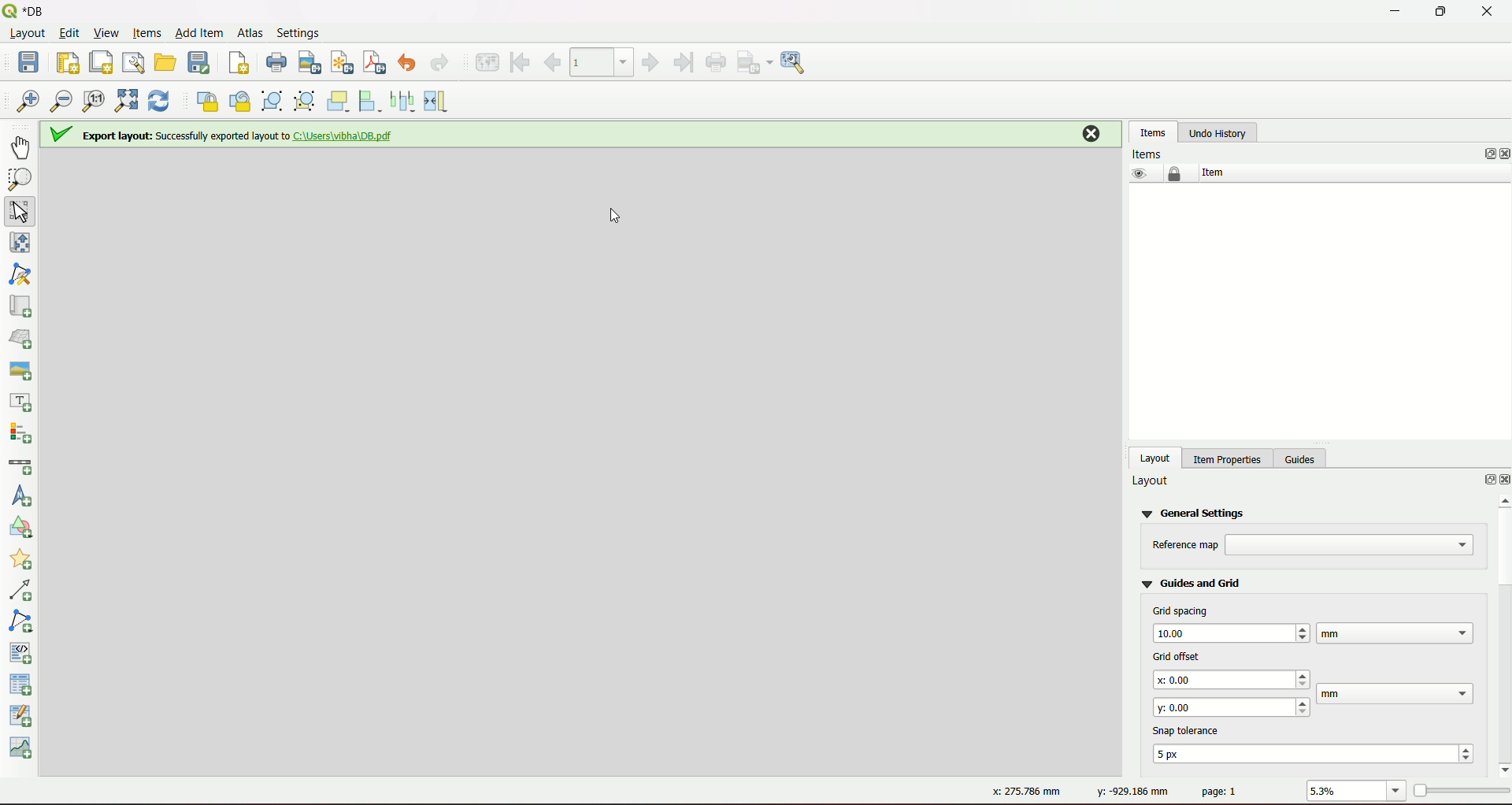  I want to click on add scale bar, so click(20, 466).